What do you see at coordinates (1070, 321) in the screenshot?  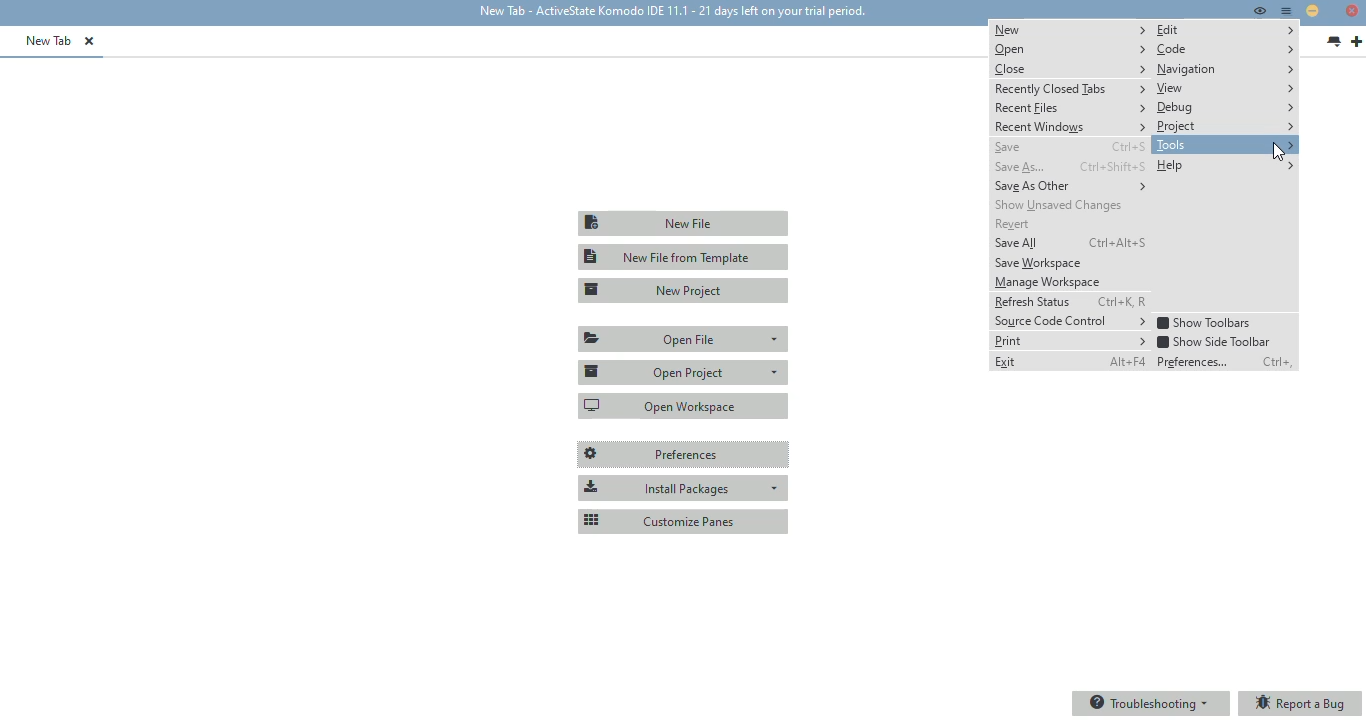 I see `source code control` at bounding box center [1070, 321].